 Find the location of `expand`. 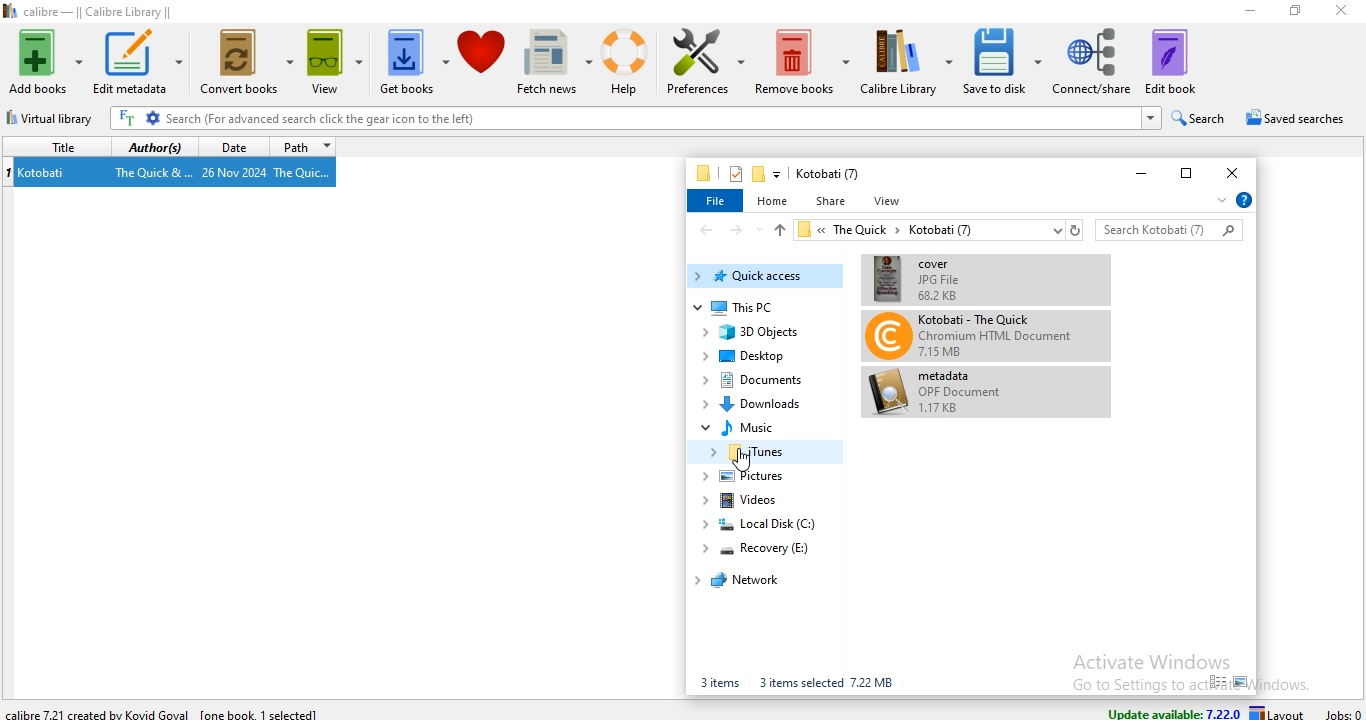

expand is located at coordinates (1218, 203).